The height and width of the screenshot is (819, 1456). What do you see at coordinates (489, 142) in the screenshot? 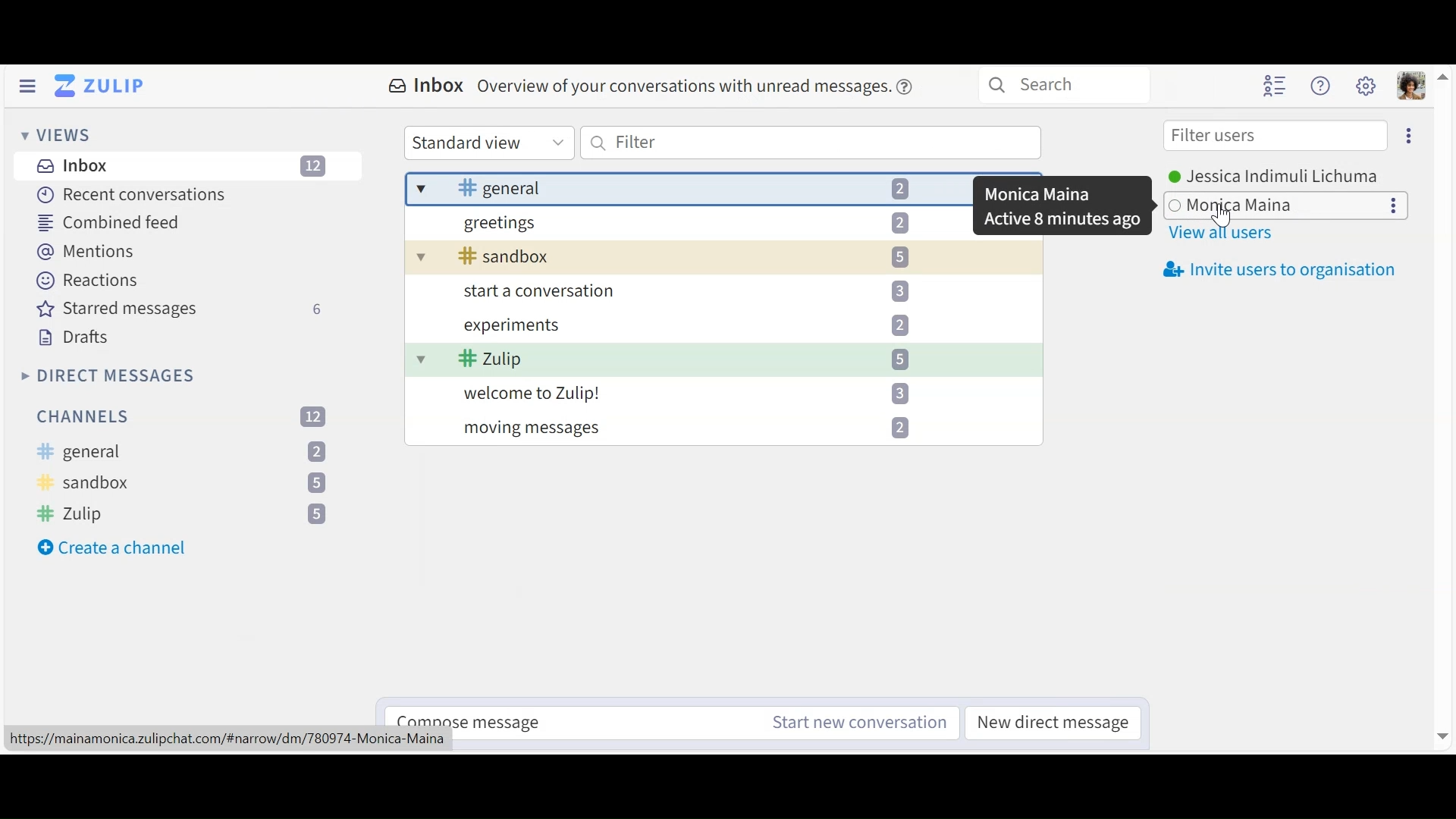
I see `Standard View` at bounding box center [489, 142].